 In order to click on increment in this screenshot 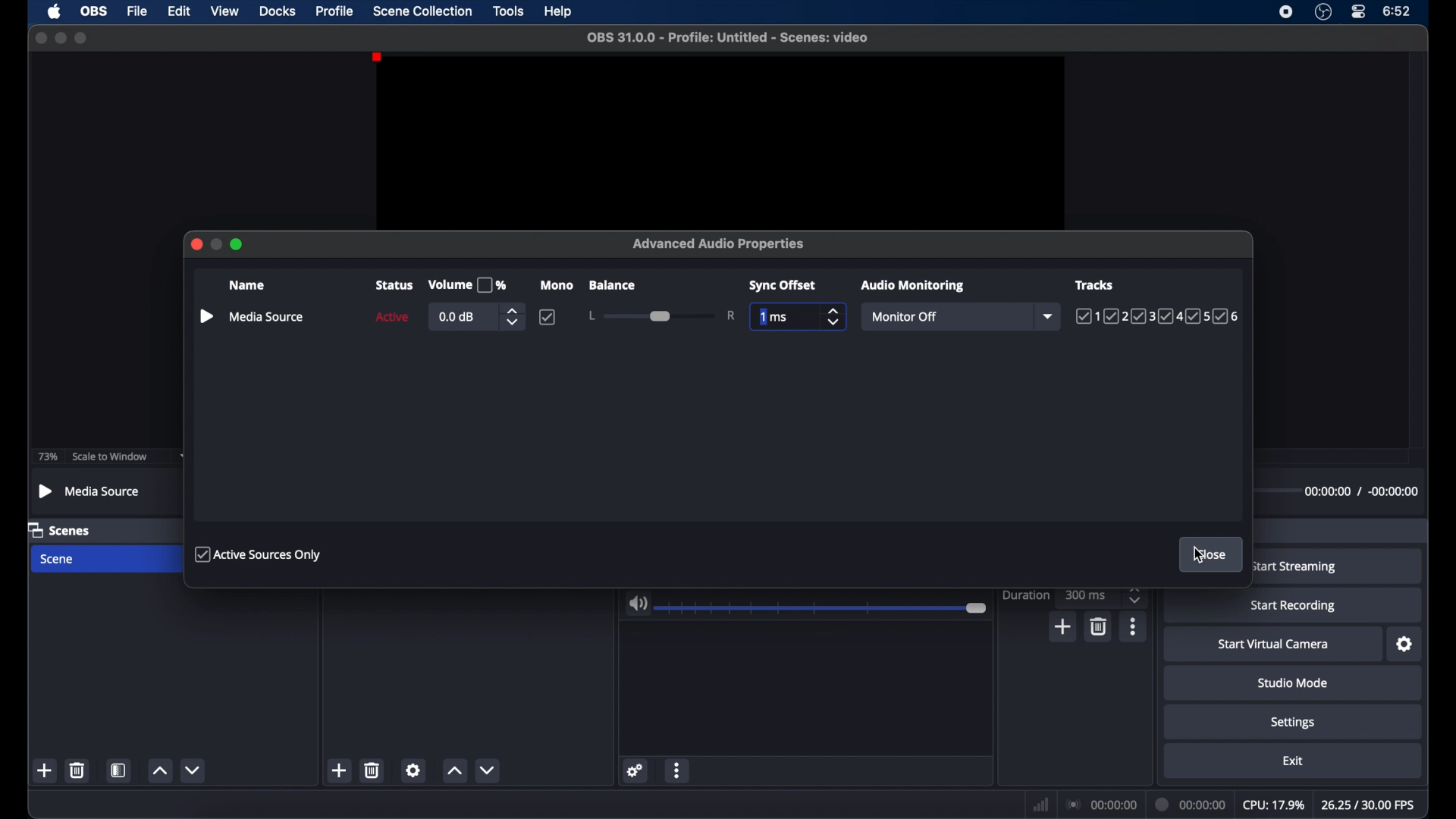, I will do `click(158, 770)`.